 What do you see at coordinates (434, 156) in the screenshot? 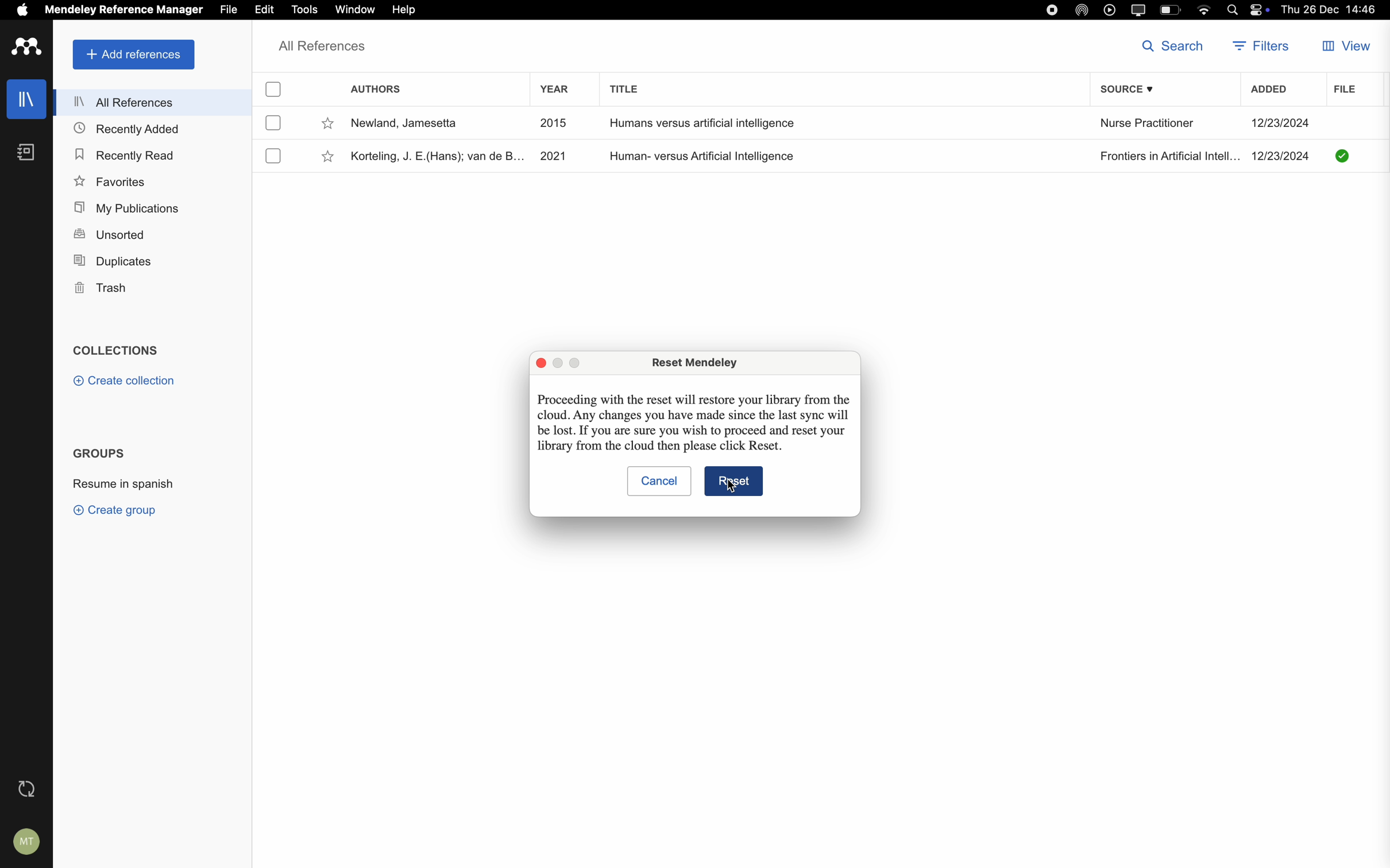
I see `Korteling, J. E.(Hans); van de B..` at bounding box center [434, 156].